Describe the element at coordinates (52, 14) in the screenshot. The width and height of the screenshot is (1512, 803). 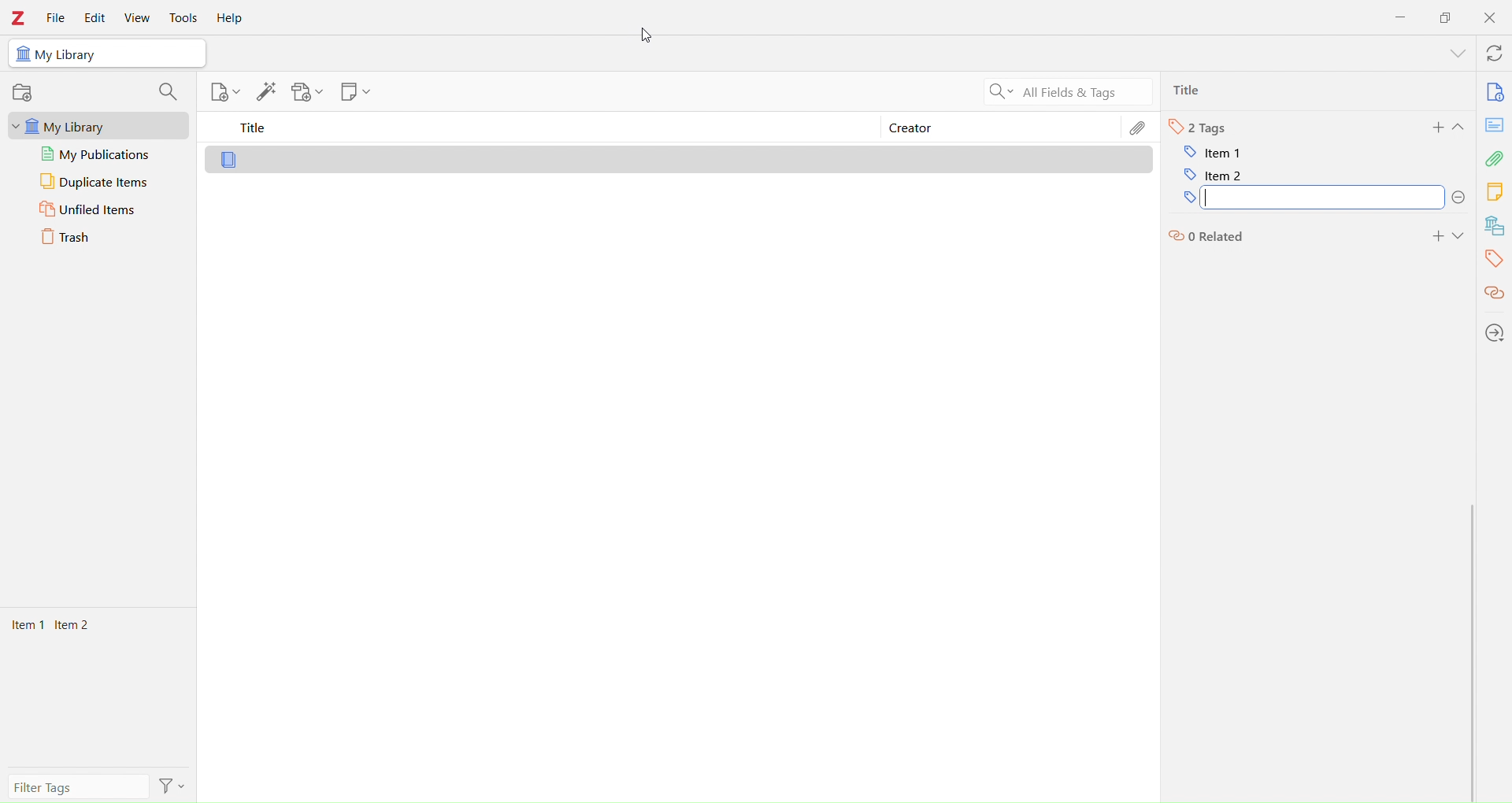
I see `File` at that location.